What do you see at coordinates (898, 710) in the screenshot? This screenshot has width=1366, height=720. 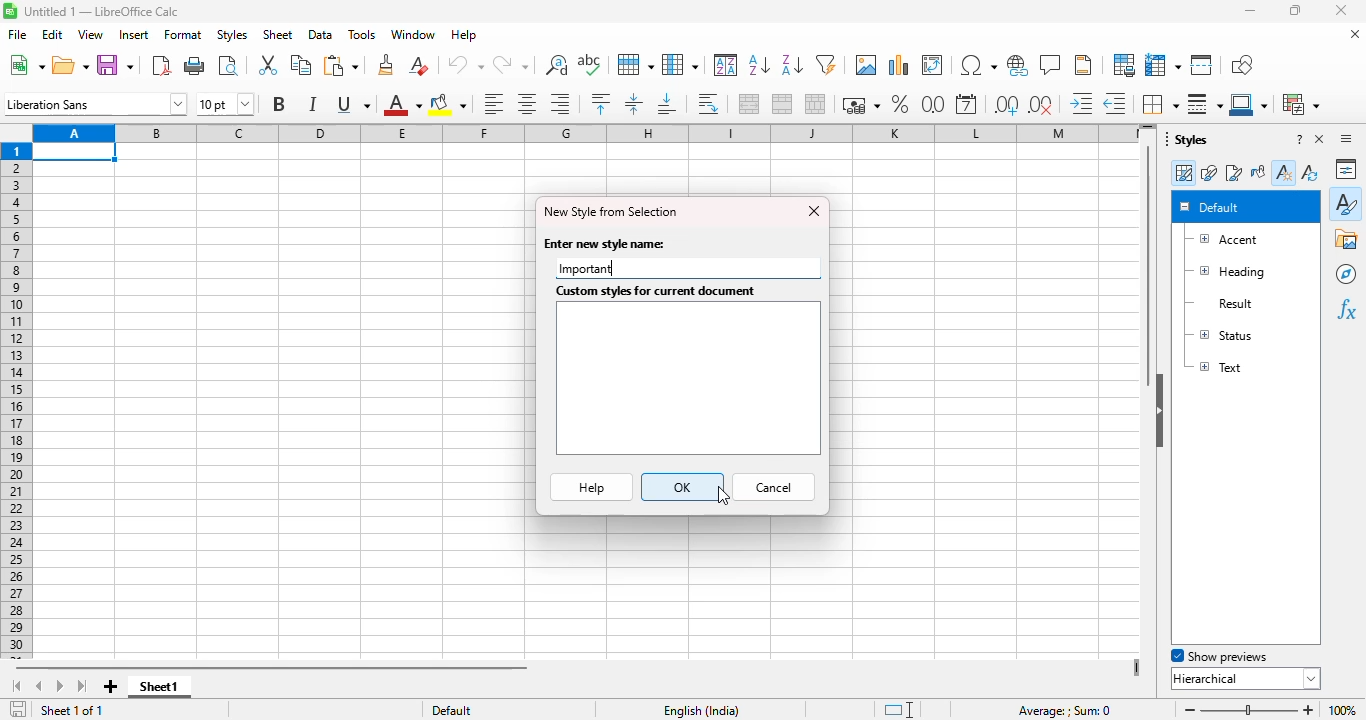 I see `standard selection` at bounding box center [898, 710].